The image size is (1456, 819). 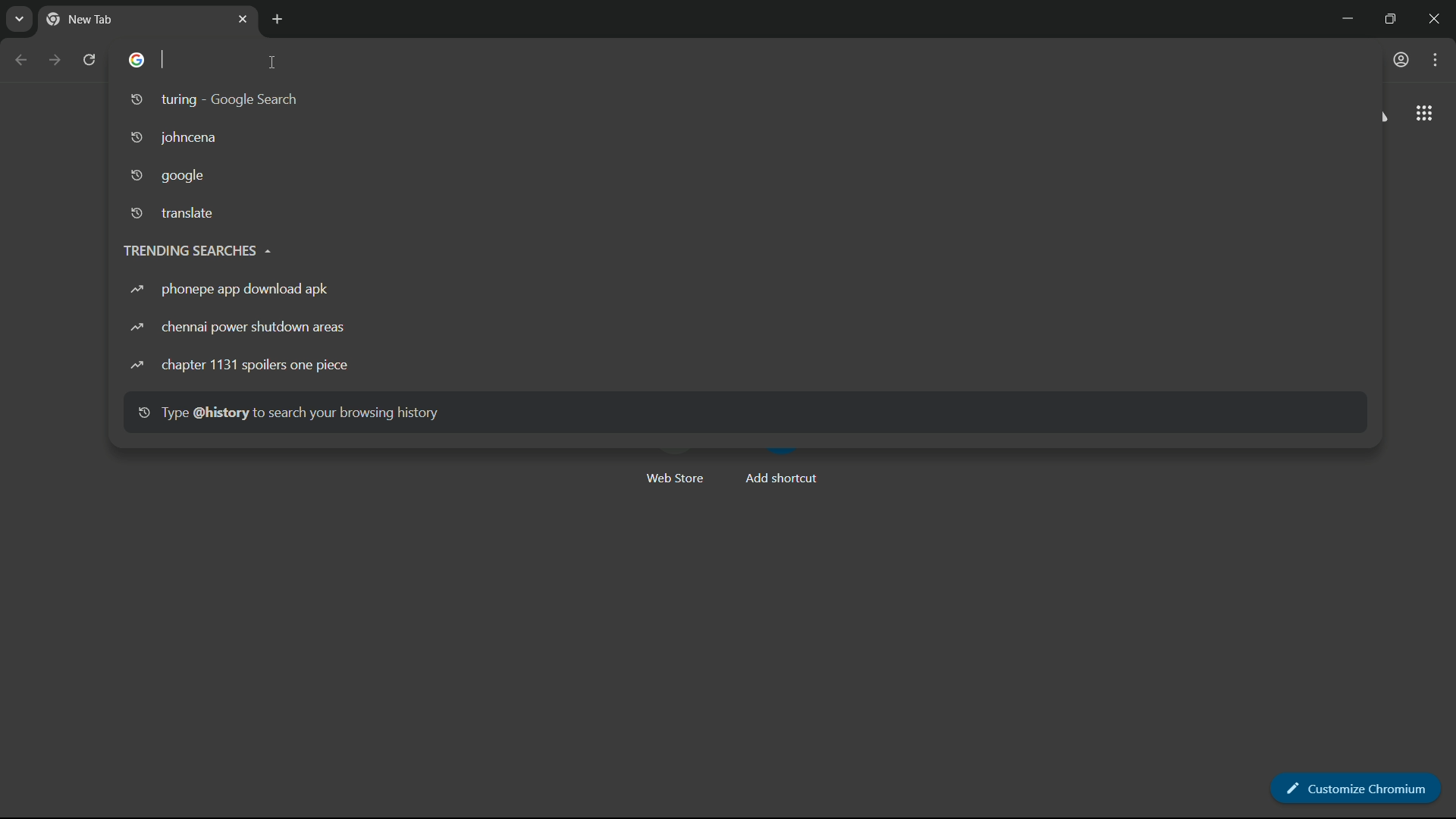 I want to click on johncena, so click(x=175, y=138).